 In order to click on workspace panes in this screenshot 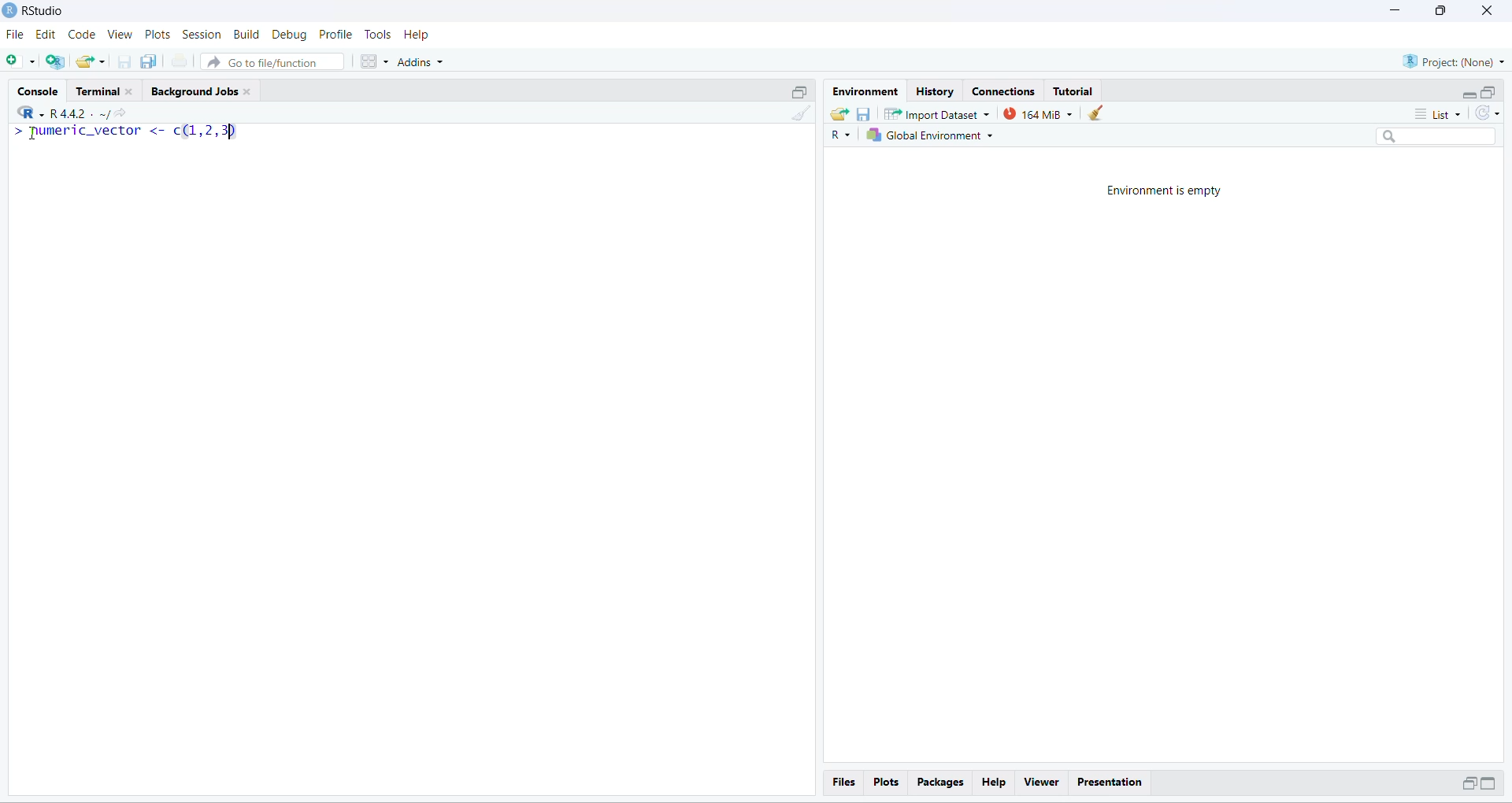, I will do `click(373, 61)`.